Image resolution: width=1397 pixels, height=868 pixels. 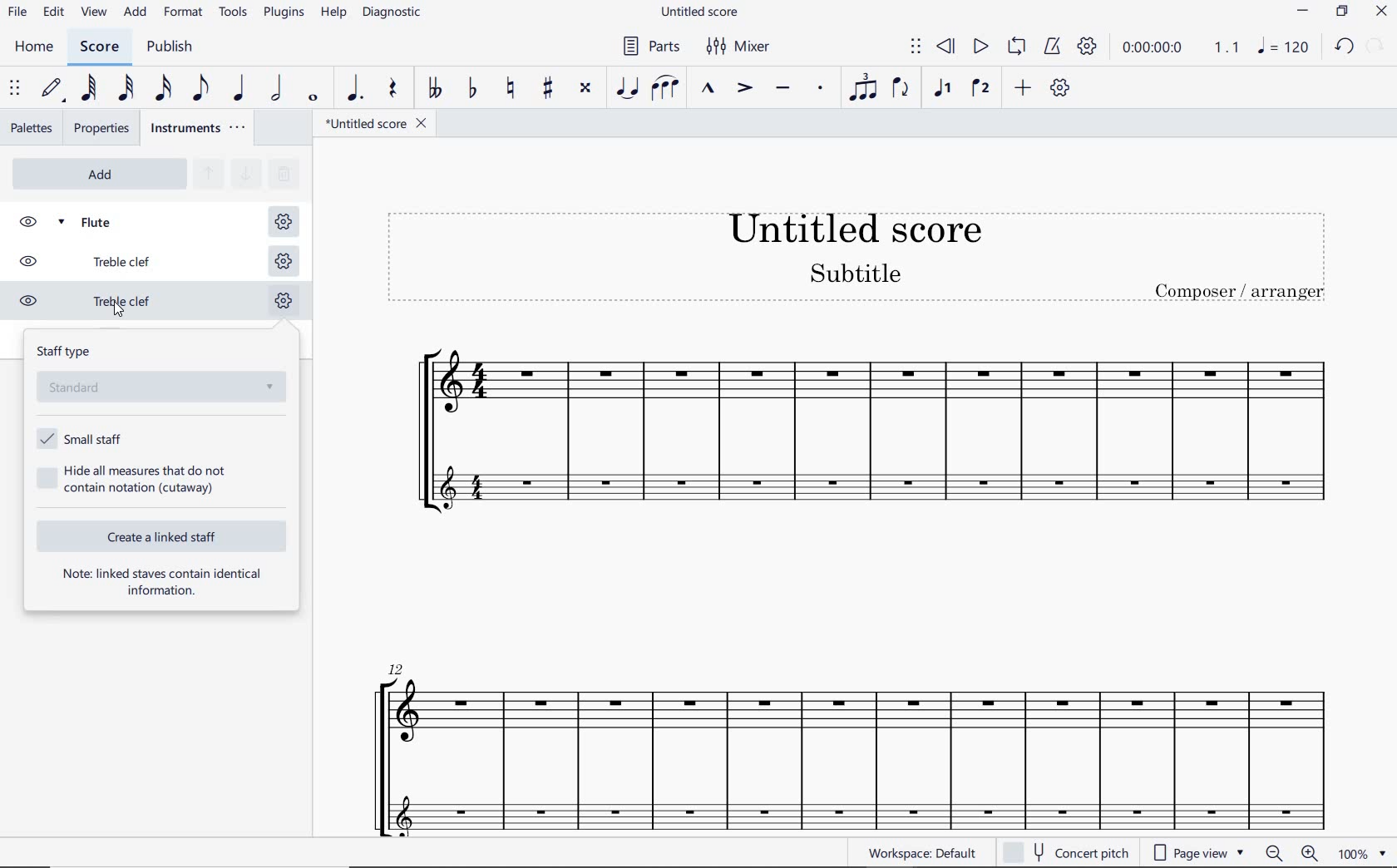 What do you see at coordinates (743, 89) in the screenshot?
I see `ACCENT` at bounding box center [743, 89].